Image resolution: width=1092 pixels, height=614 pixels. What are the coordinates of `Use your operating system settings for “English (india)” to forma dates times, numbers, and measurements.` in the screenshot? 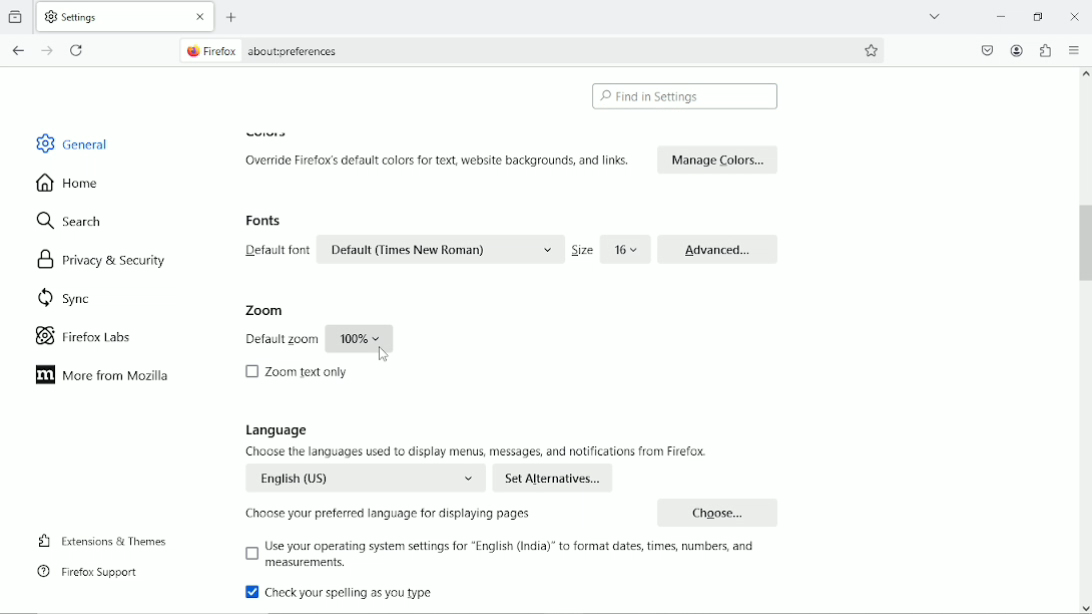 It's located at (508, 555).